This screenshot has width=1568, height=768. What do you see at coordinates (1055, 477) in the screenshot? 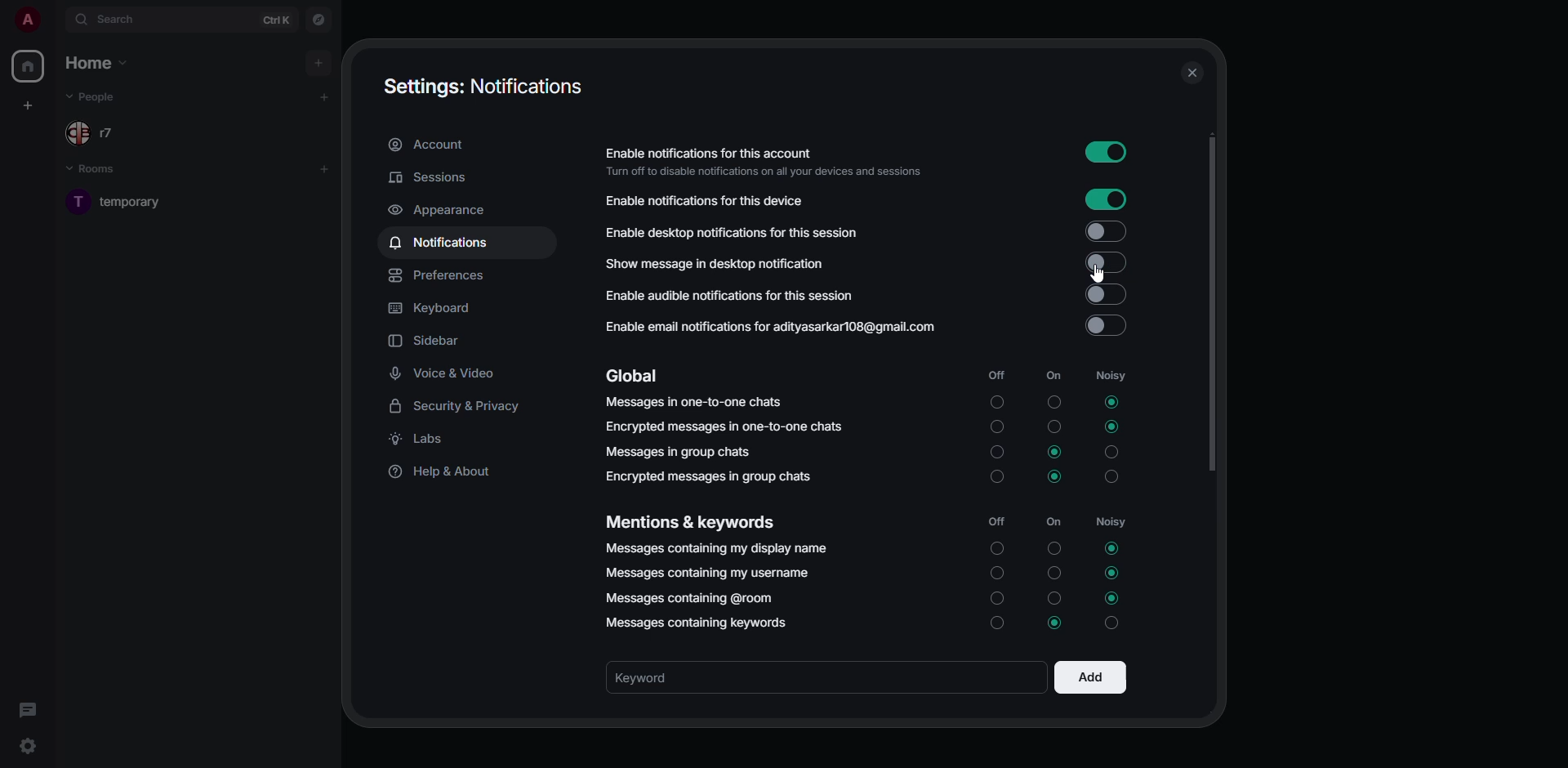
I see `selected` at bounding box center [1055, 477].